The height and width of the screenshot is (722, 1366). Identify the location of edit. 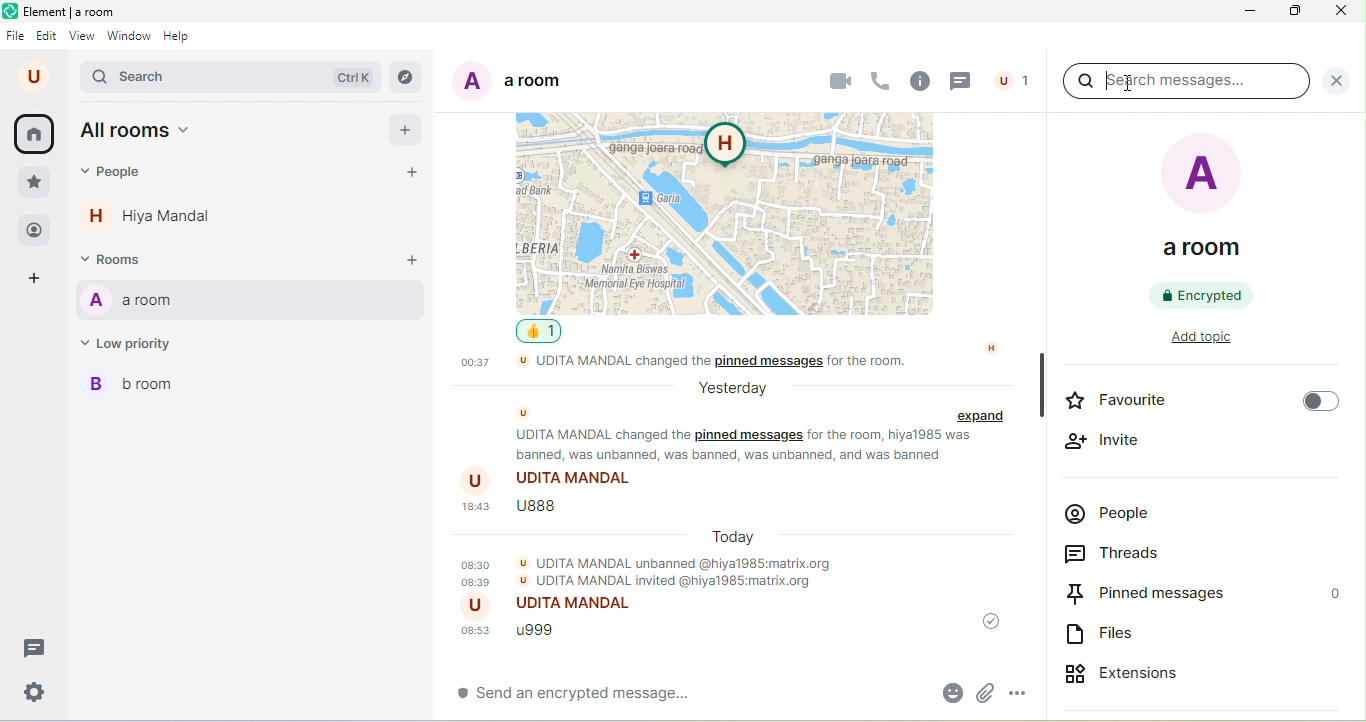
(48, 36).